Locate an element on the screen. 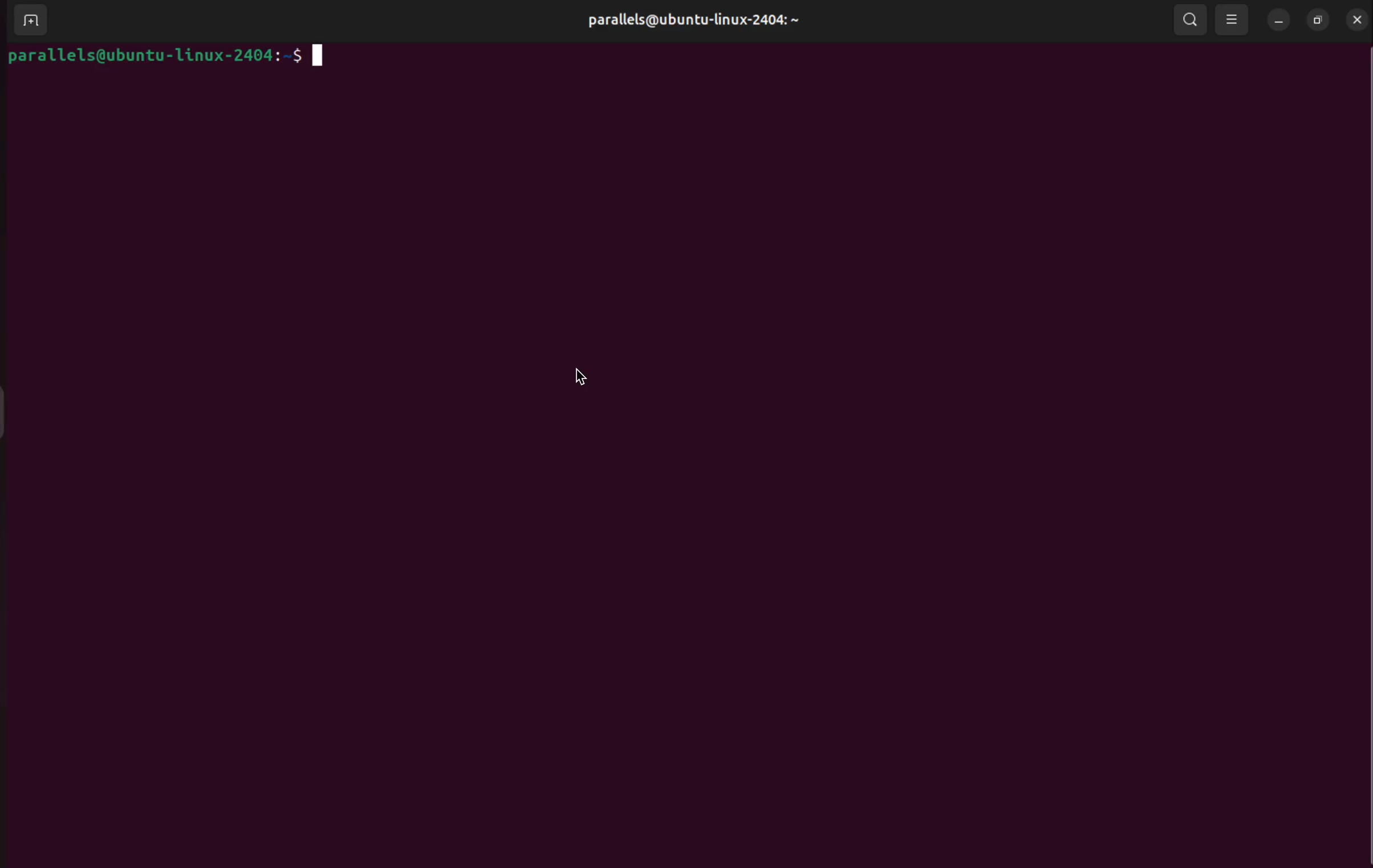 This screenshot has height=868, width=1373. view options is located at coordinates (1233, 18).